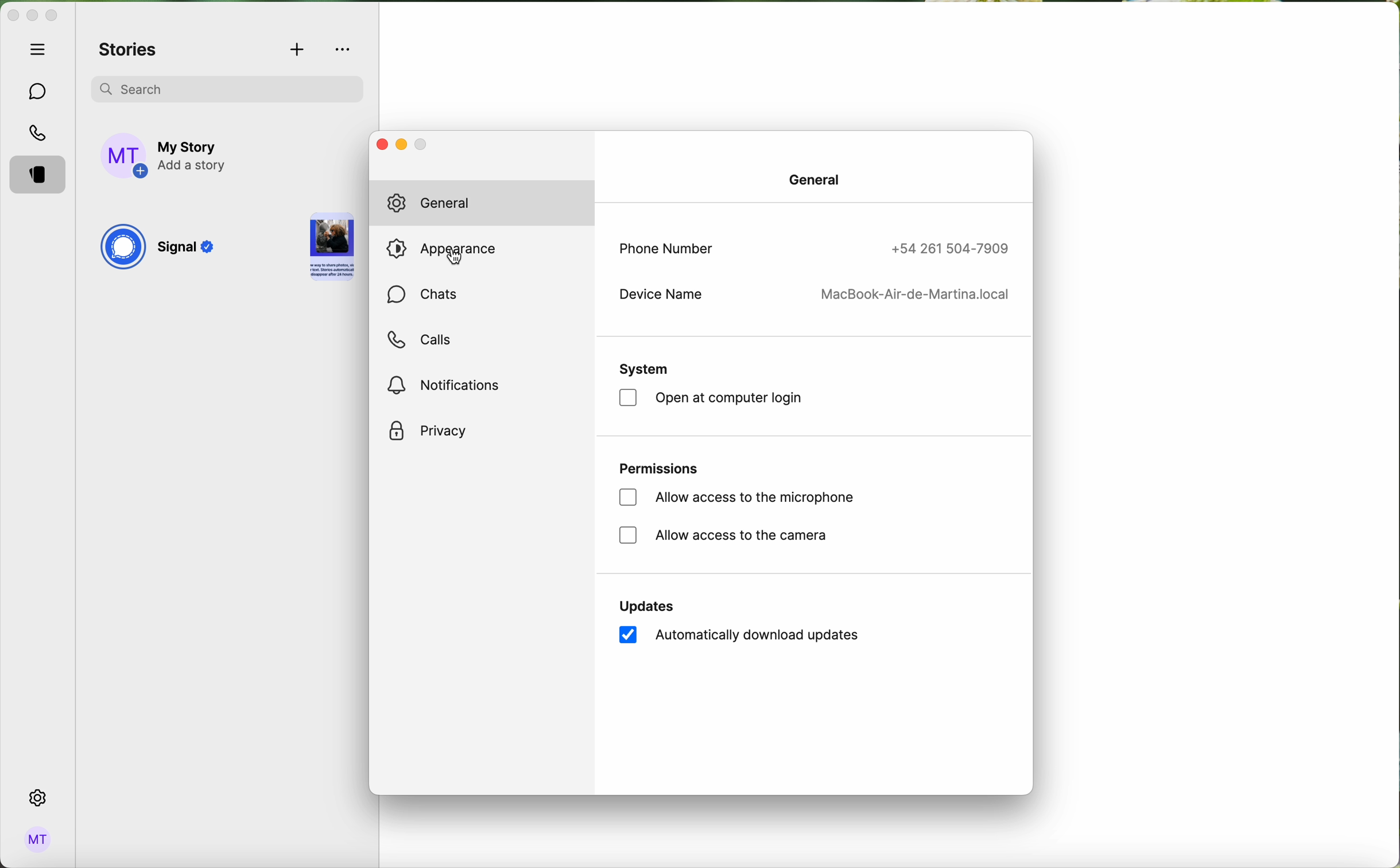 The image size is (1400, 868). Describe the element at coordinates (731, 398) in the screenshot. I see `open at computer login` at that location.